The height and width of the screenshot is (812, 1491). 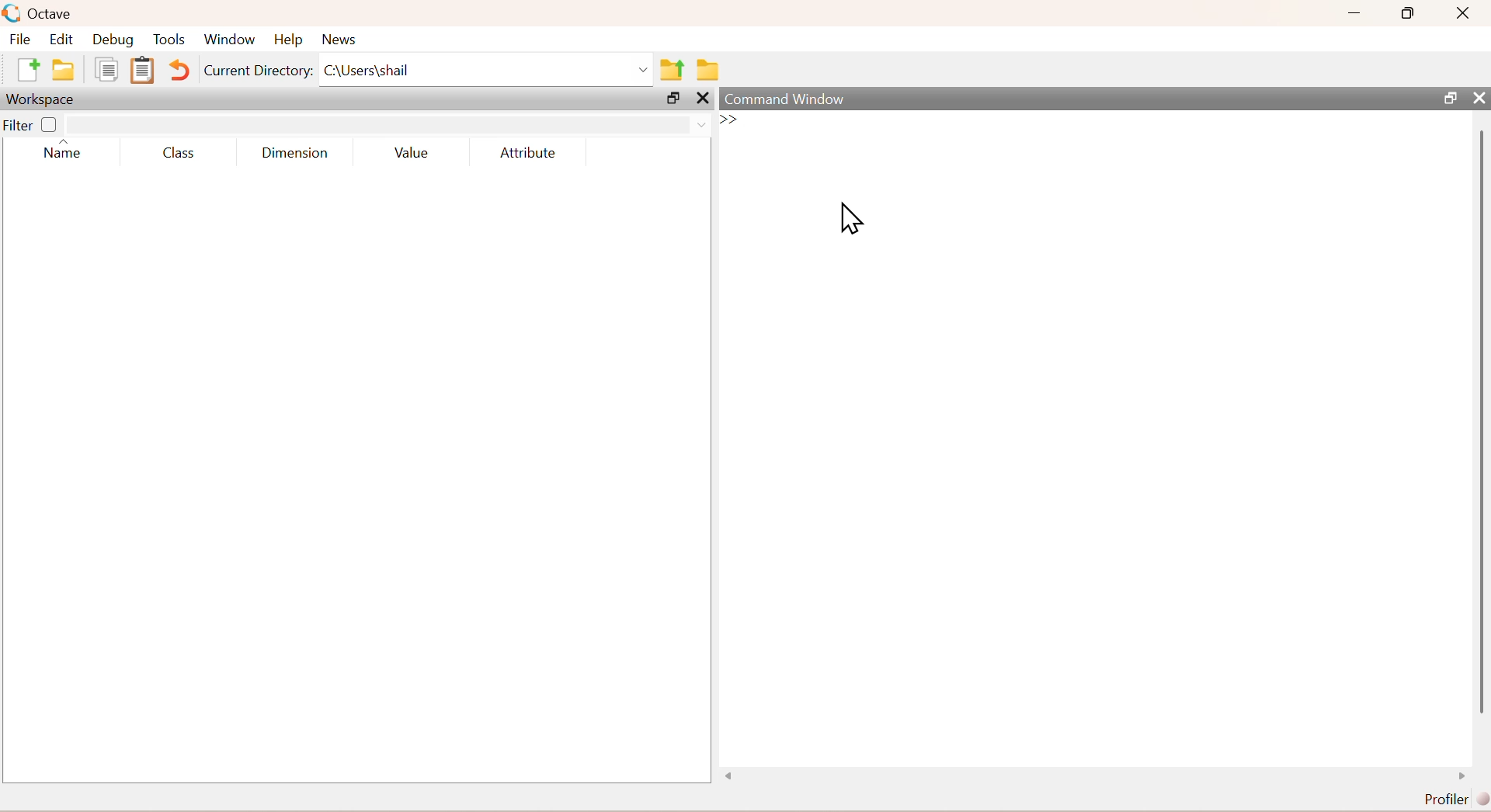 What do you see at coordinates (296, 152) in the screenshot?
I see `dimensions` at bounding box center [296, 152].